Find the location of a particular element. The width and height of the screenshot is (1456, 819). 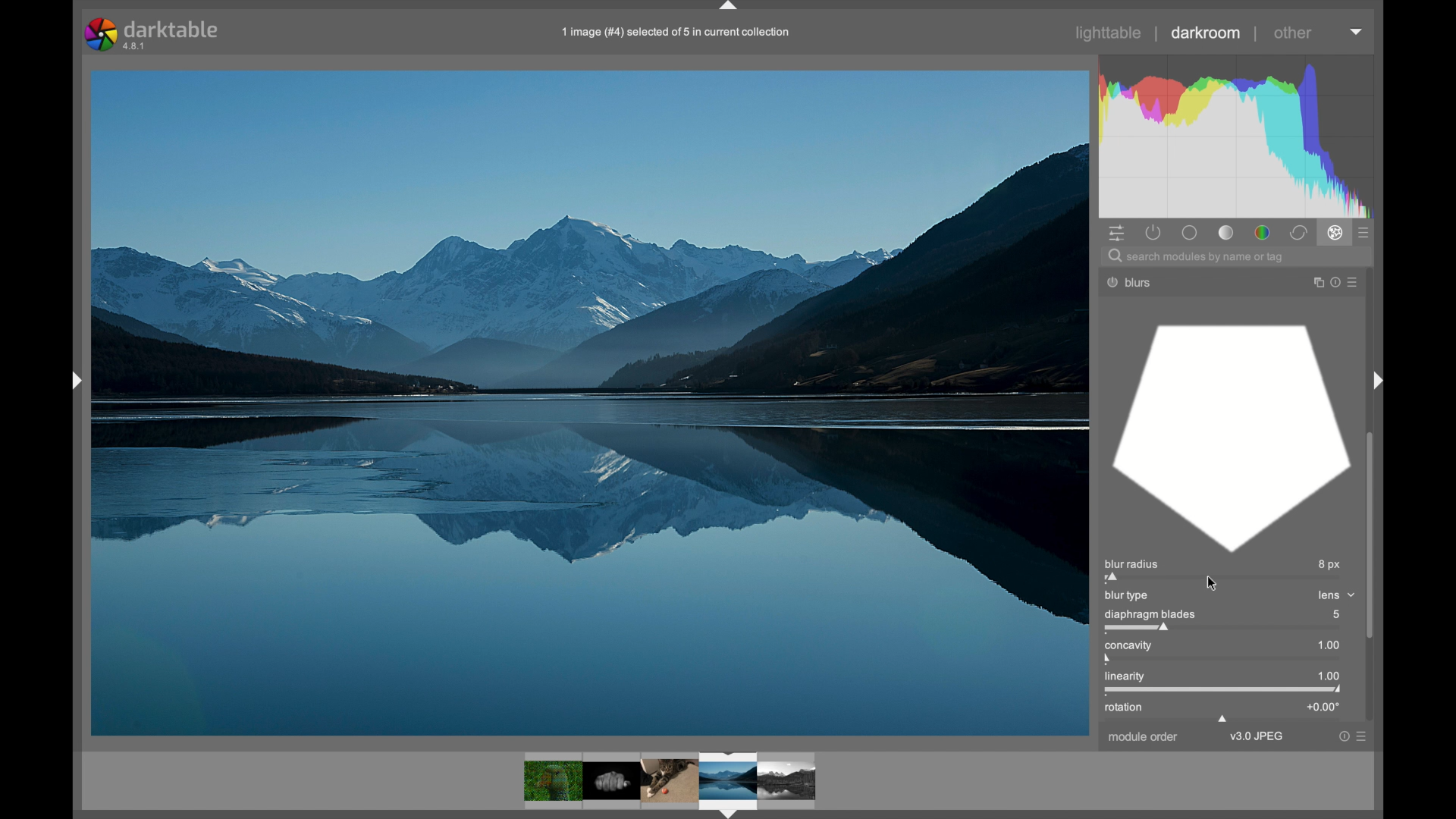

base is located at coordinates (1191, 232).